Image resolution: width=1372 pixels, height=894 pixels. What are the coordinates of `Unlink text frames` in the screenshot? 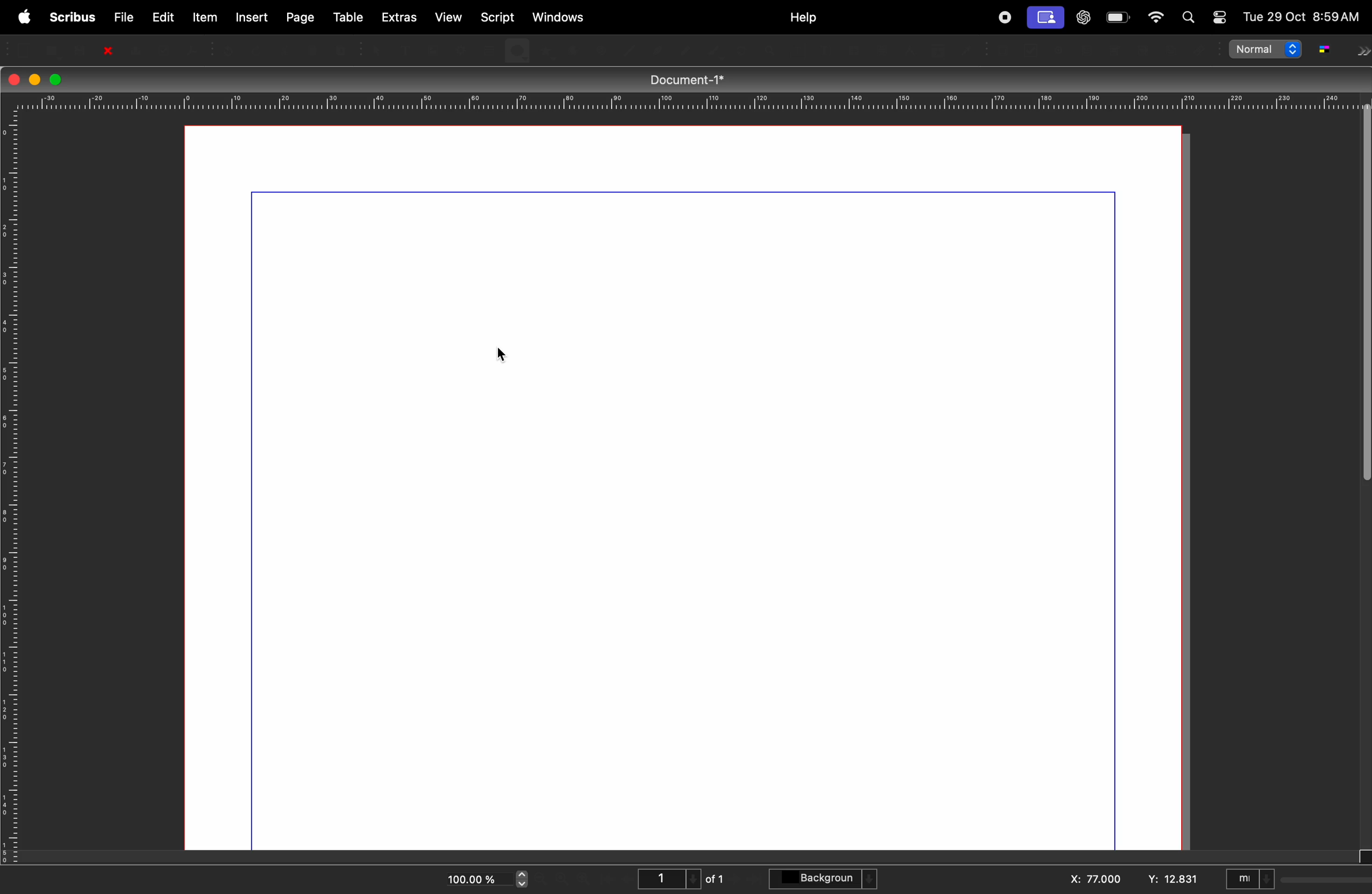 It's located at (881, 50).